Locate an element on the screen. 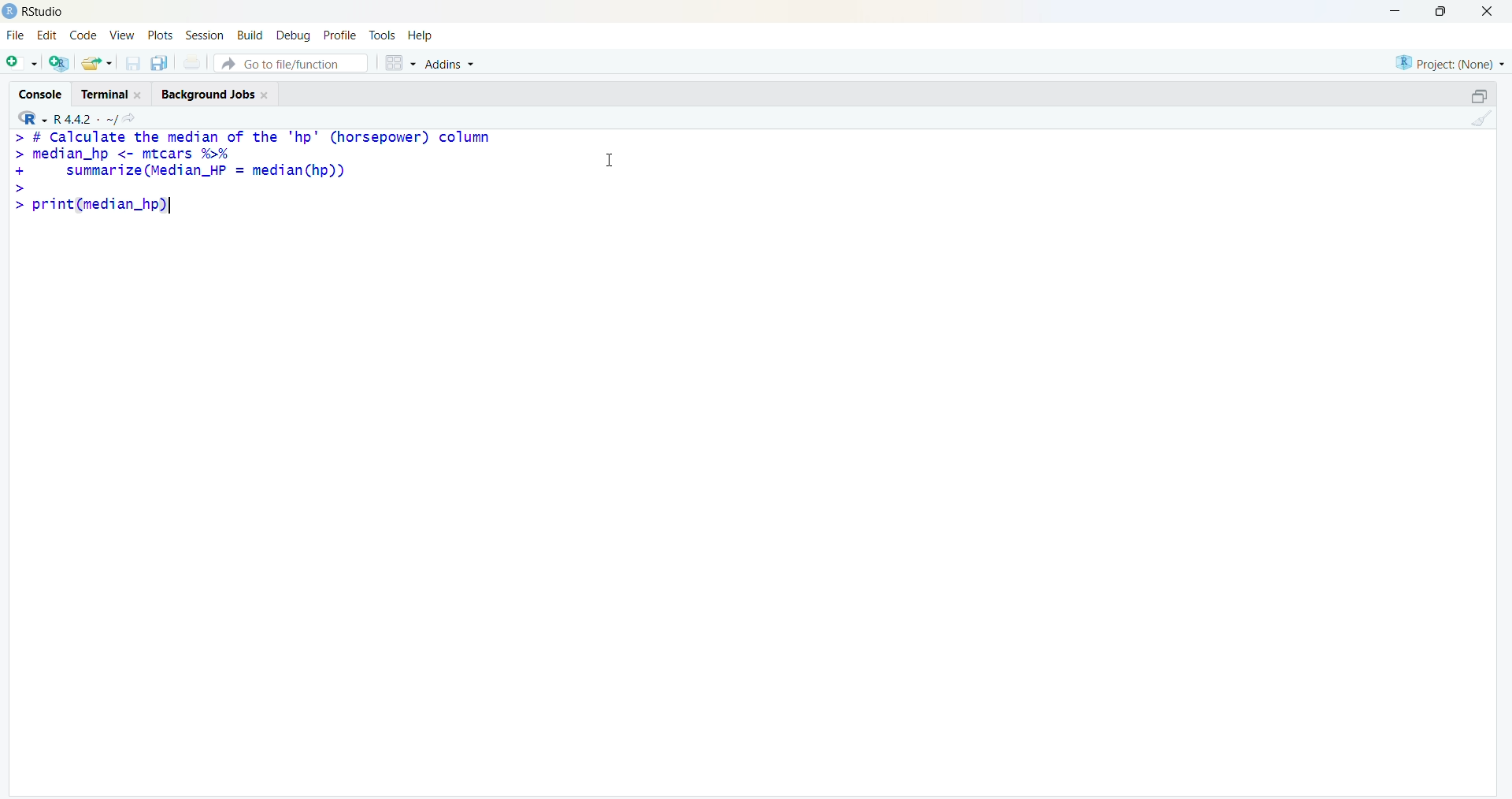 This screenshot has height=799, width=1512. edit is located at coordinates (46, 35).